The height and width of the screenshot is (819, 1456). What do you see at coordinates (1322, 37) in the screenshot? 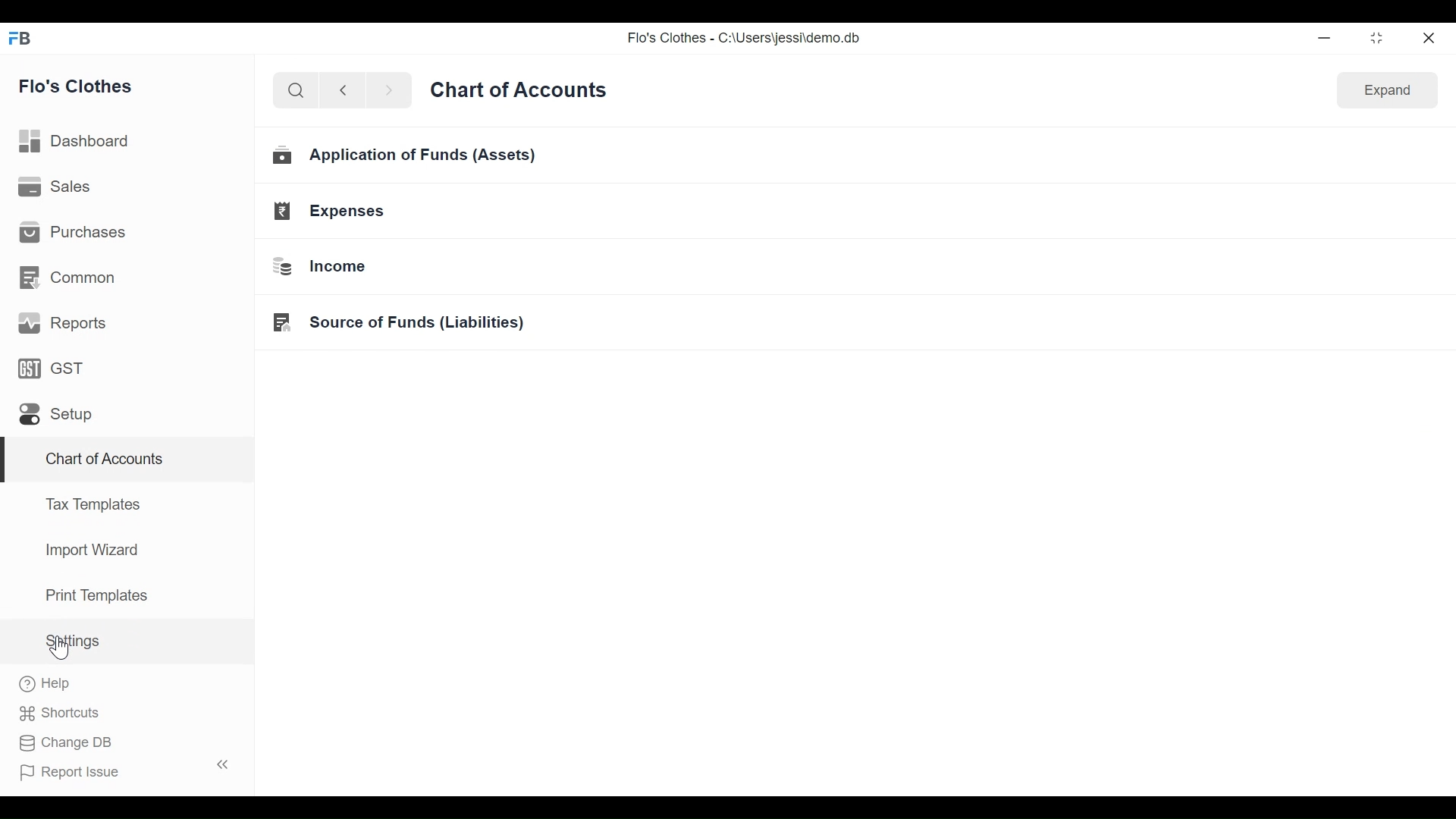
I see `Minimize` at bounding box center [1322, 37].